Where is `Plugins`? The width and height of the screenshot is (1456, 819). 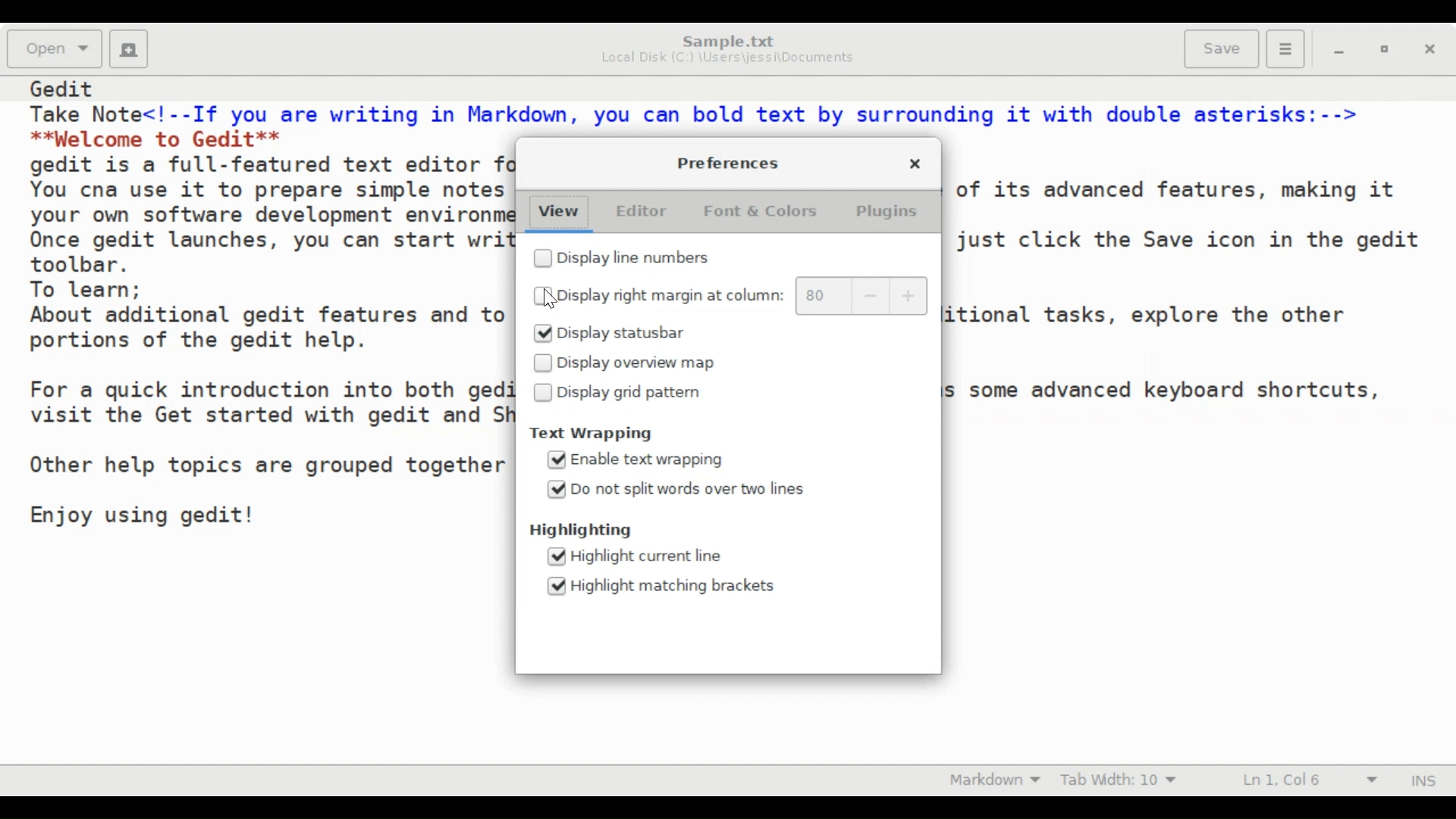 Plugins is located at coordinates (889, 211).